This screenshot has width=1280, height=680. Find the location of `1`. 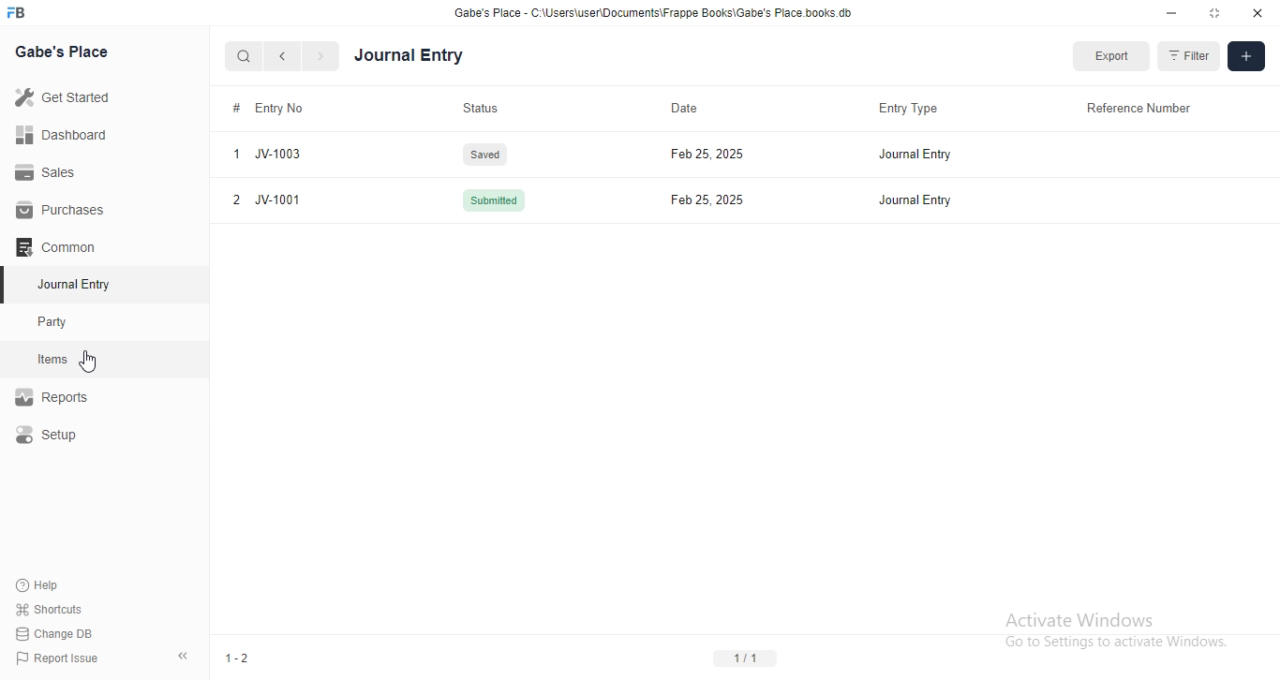

1 is located at coordinates (235, 153).